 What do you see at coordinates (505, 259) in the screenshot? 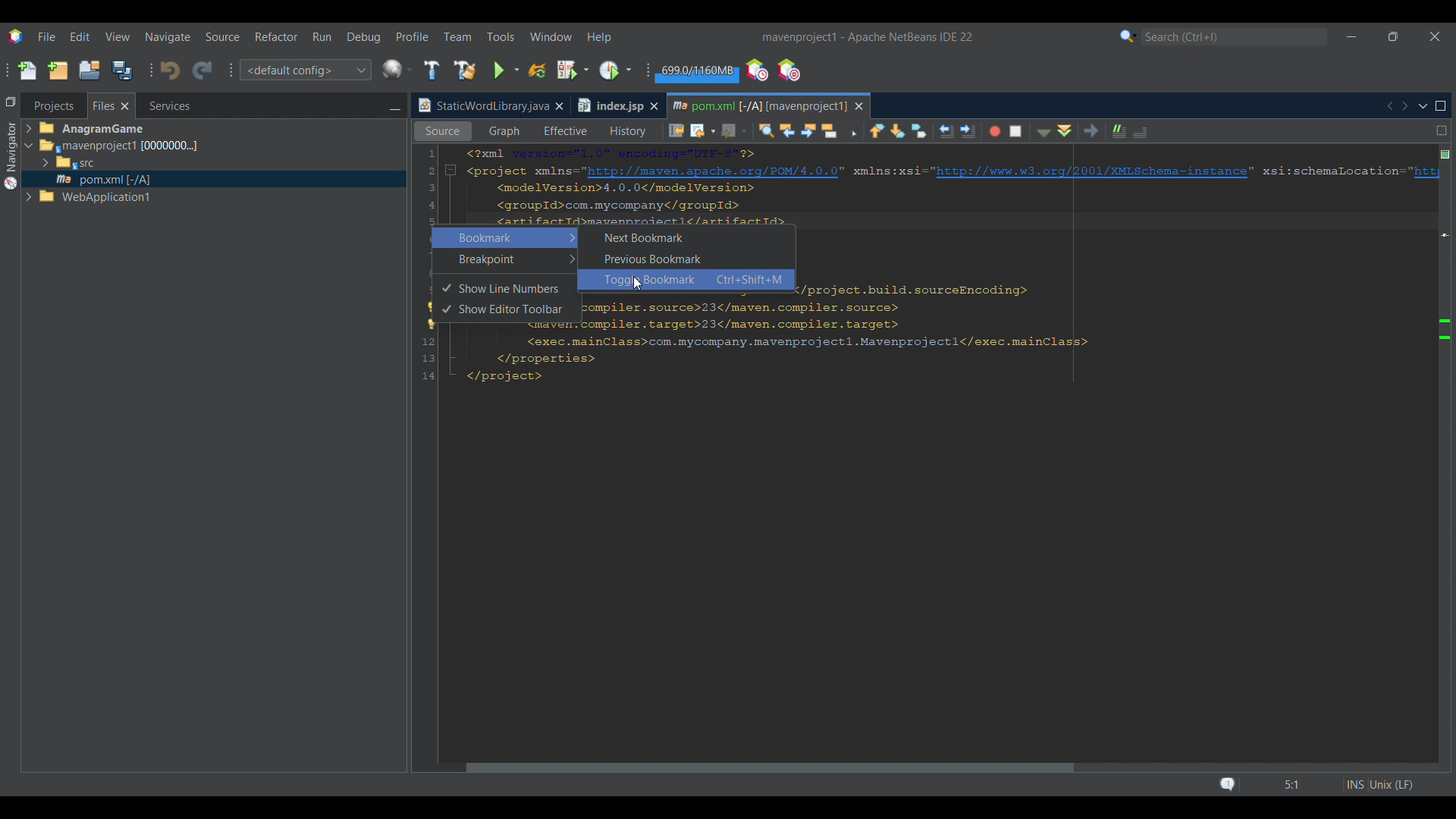
I see `Breakpoint options` at bounding box center [505, 259].